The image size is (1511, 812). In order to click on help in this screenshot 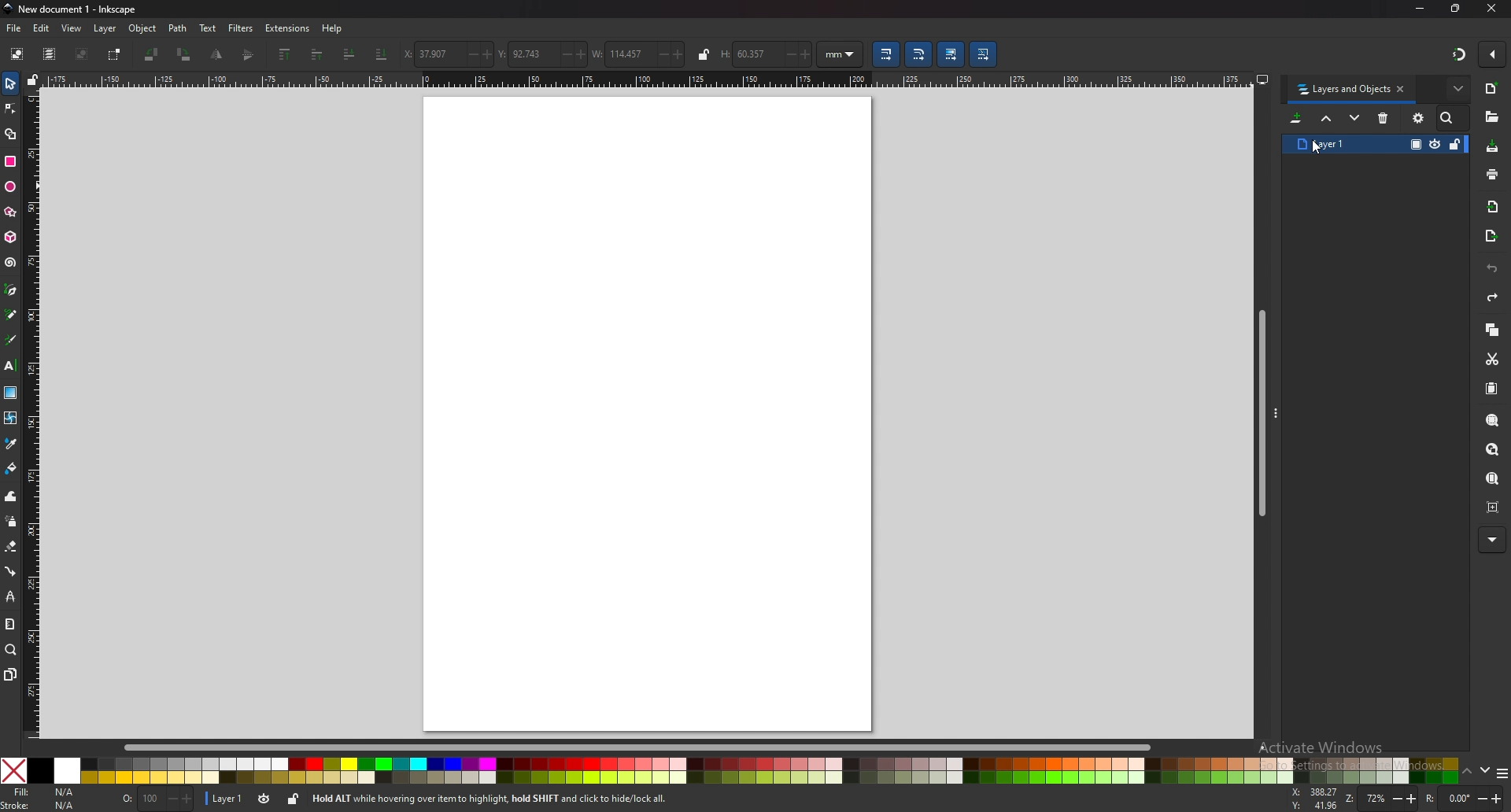, I will do `click(331, 28)`.